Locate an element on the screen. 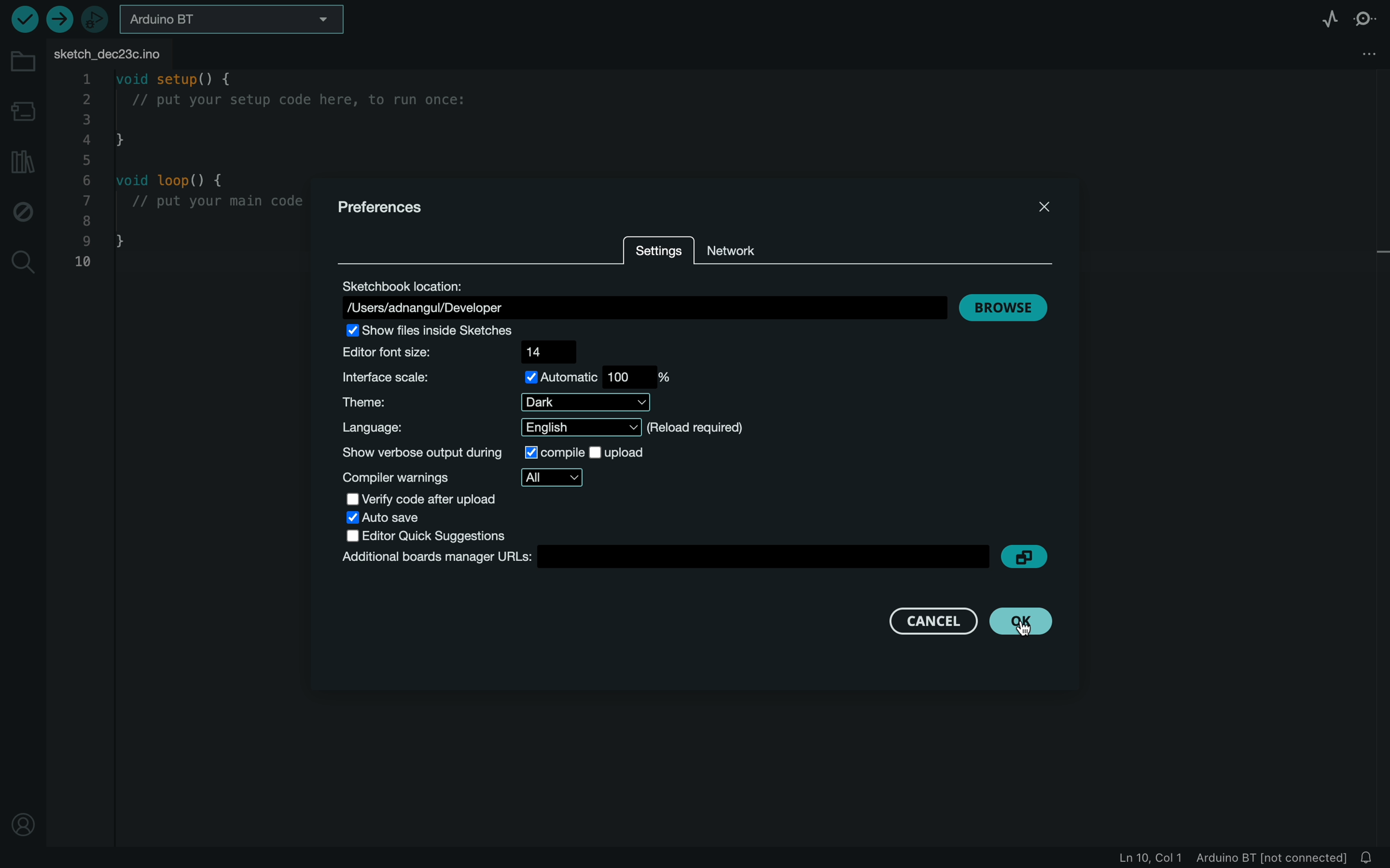  serial plotter is located at coordinates (1332, 18).